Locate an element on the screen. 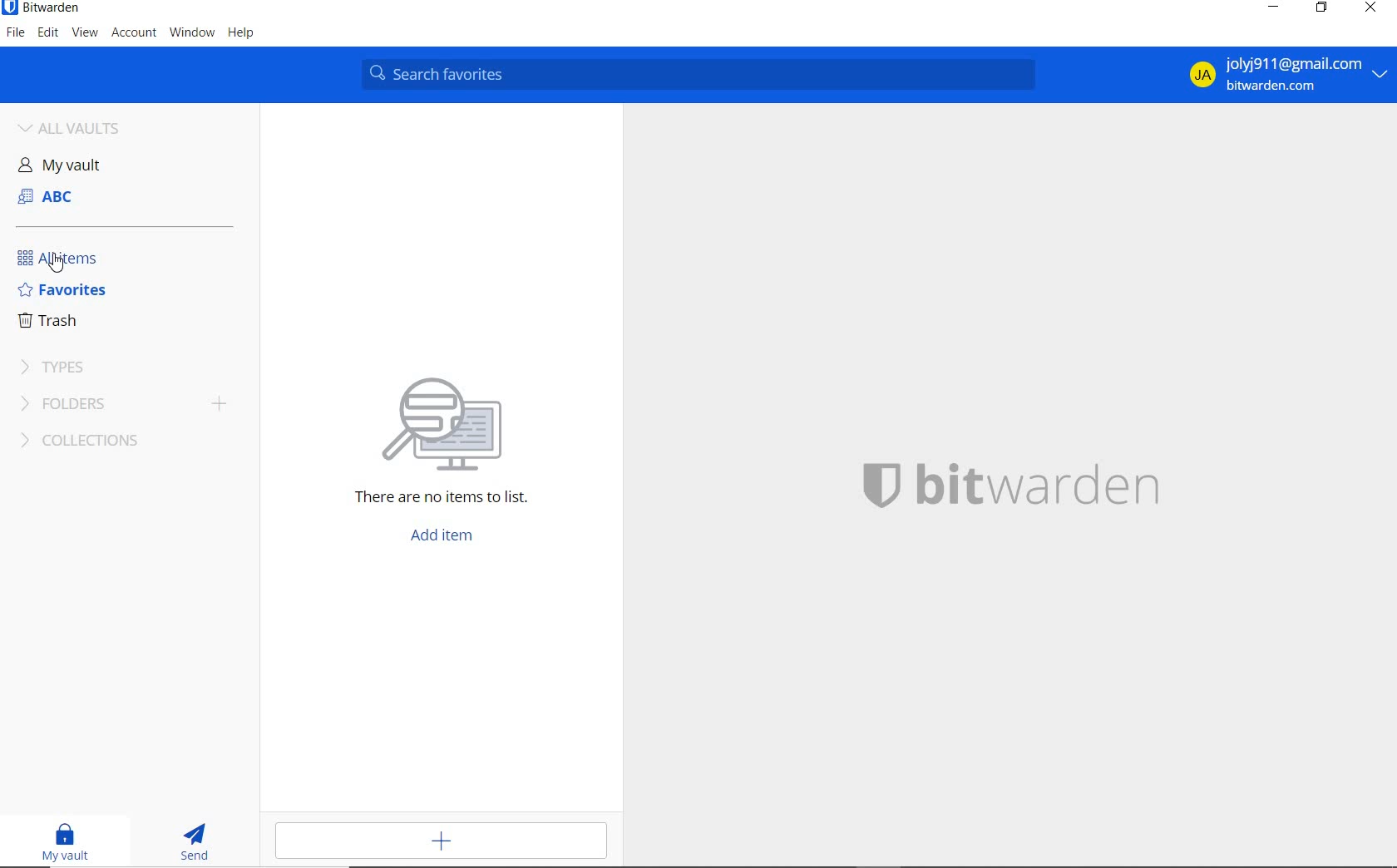  SEND is located at coordinates (200, 844).